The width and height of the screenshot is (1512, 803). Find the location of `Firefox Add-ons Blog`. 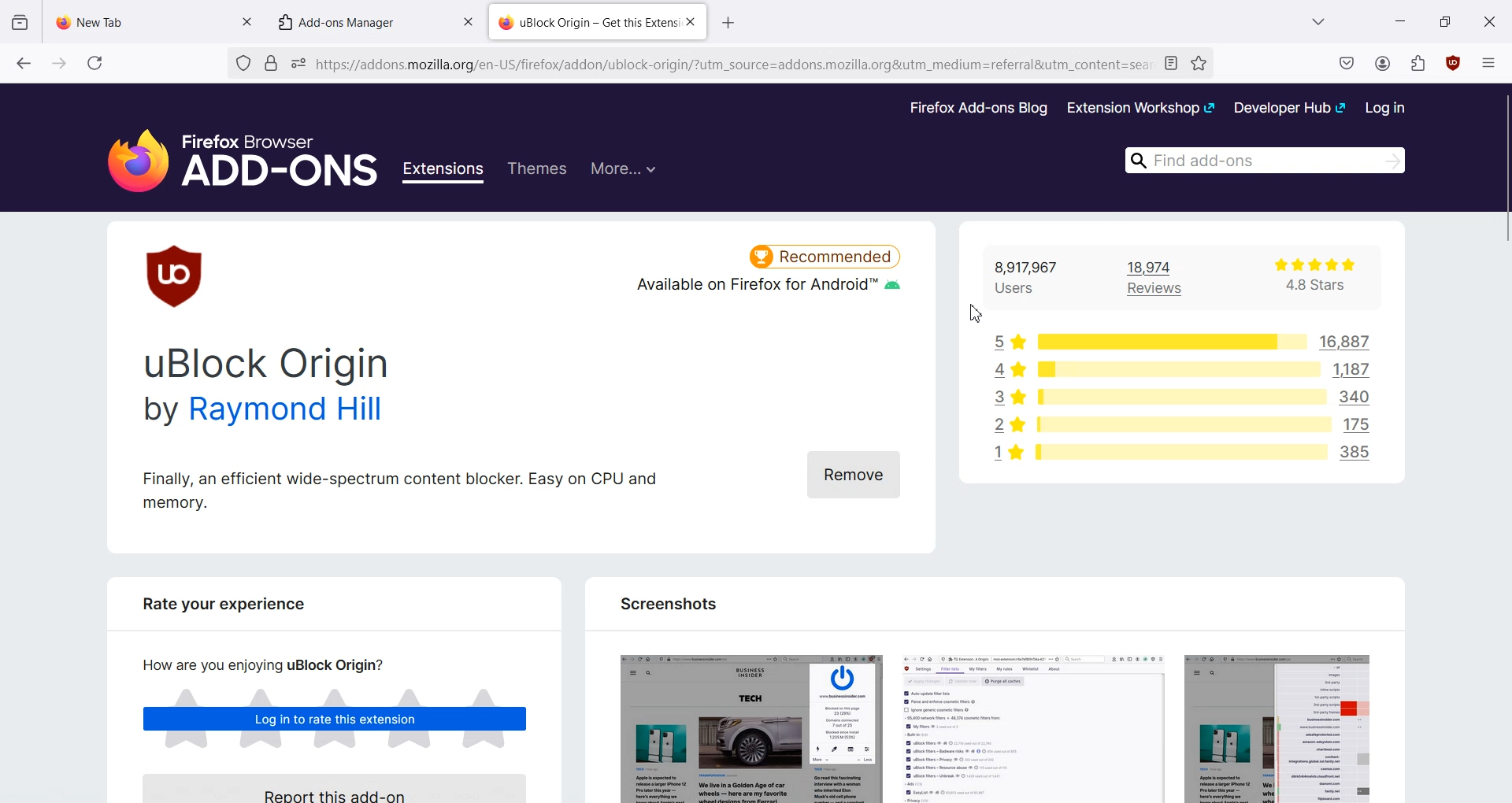

Firefox Add-ons Blog is located at coordinates (979, 109).